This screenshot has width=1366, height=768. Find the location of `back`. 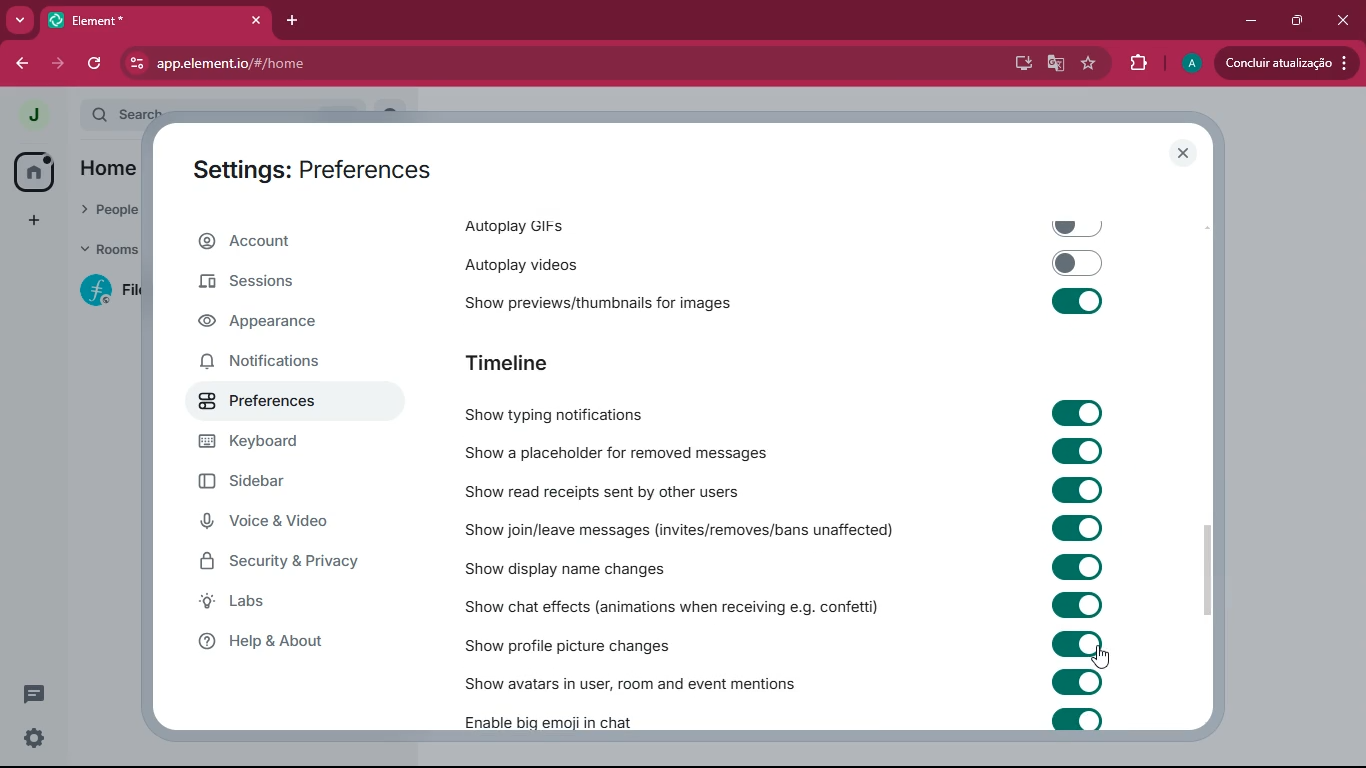

back is located at coordinates (23, 64).